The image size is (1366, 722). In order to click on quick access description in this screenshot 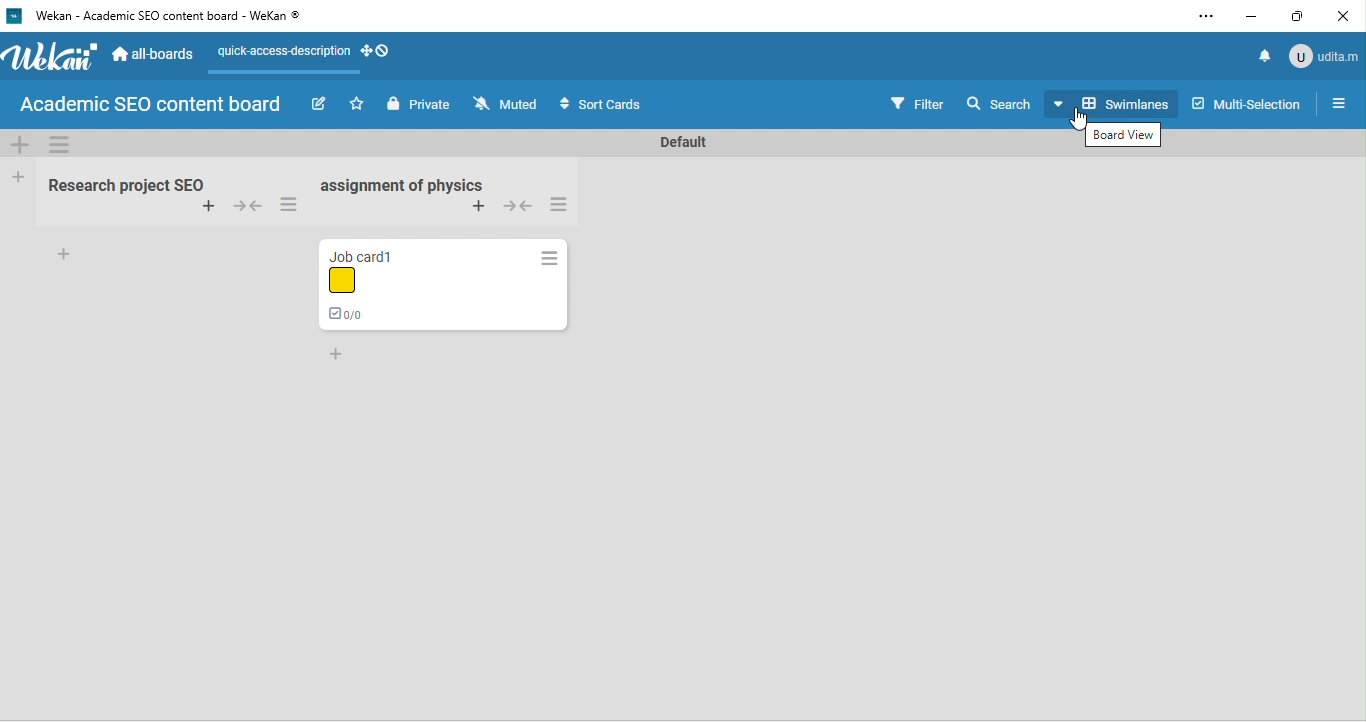, I will do `click(282, 55)`.